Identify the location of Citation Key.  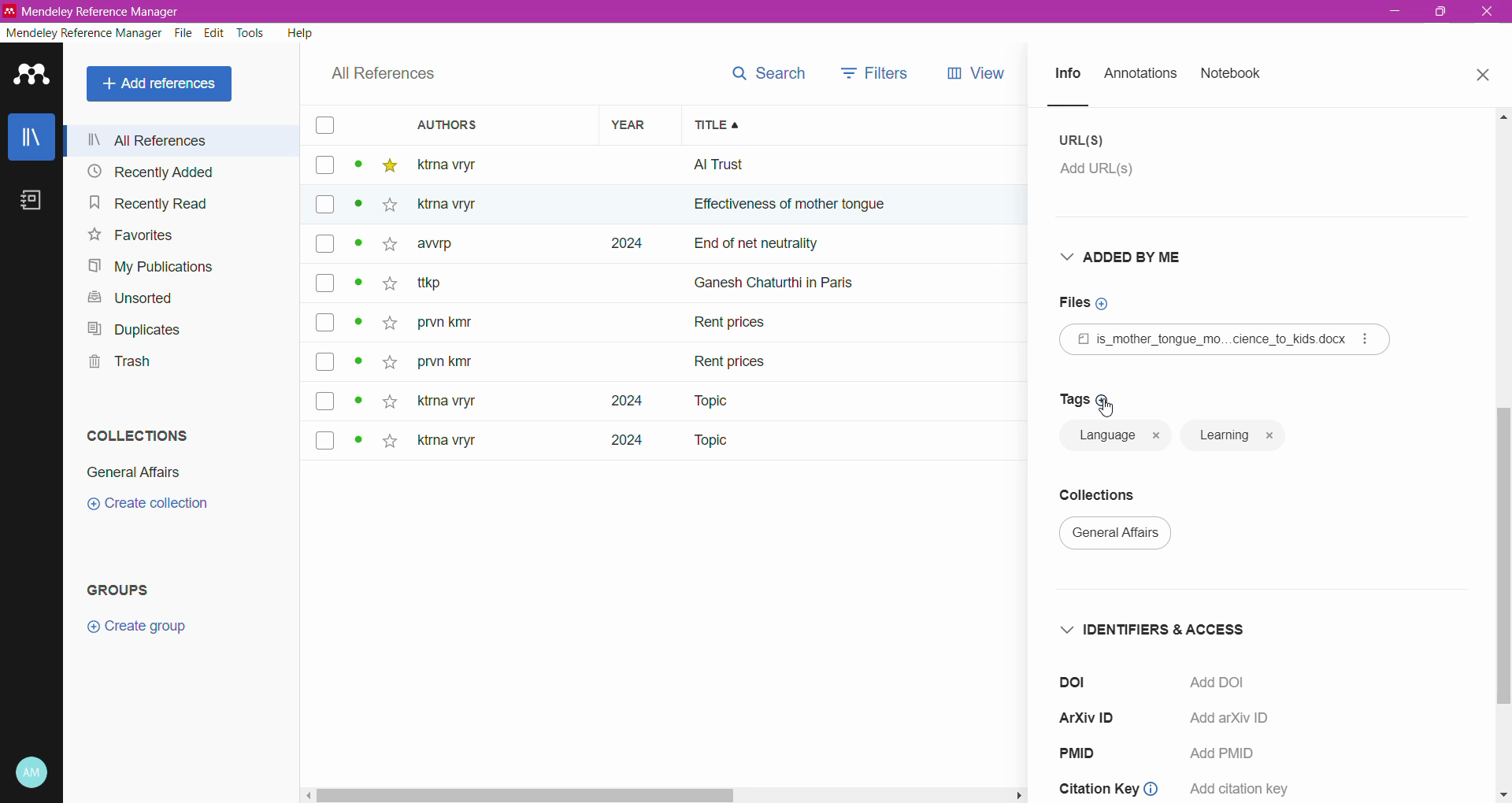
(1112, 783).